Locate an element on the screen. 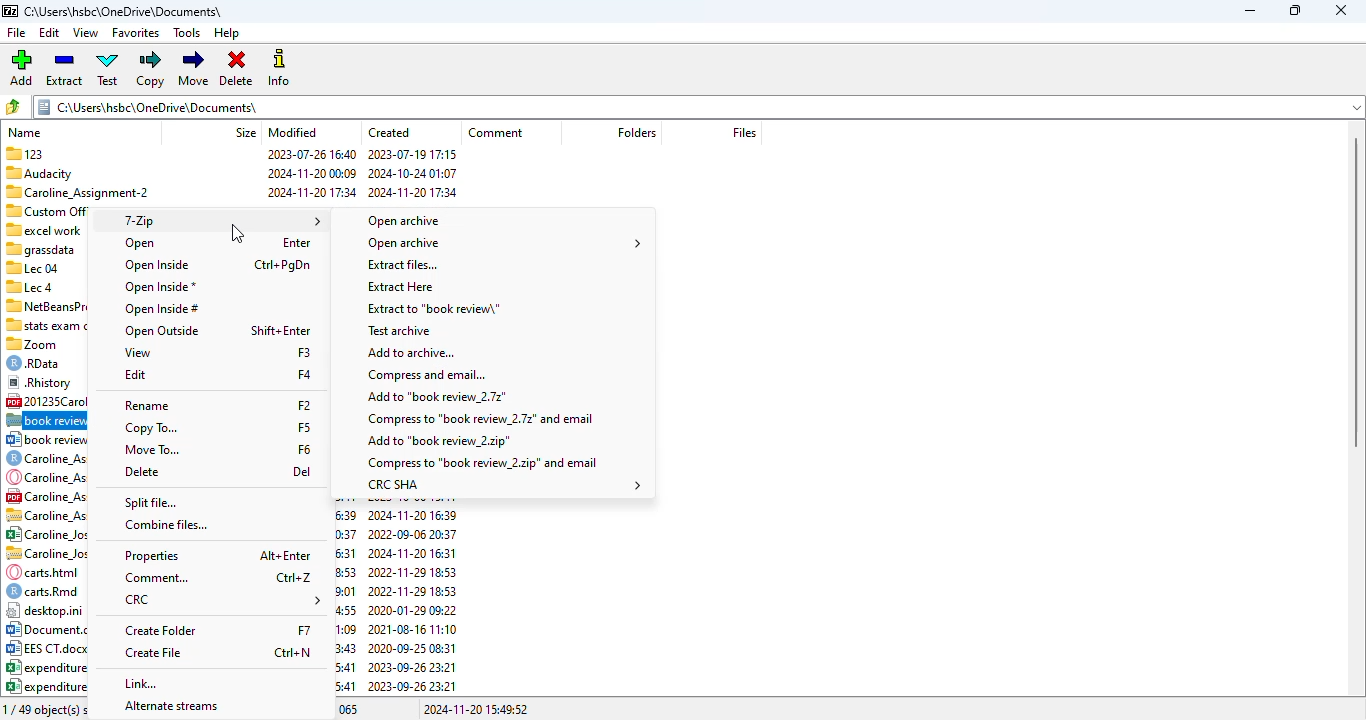  file is located at coordinates (16, 32).